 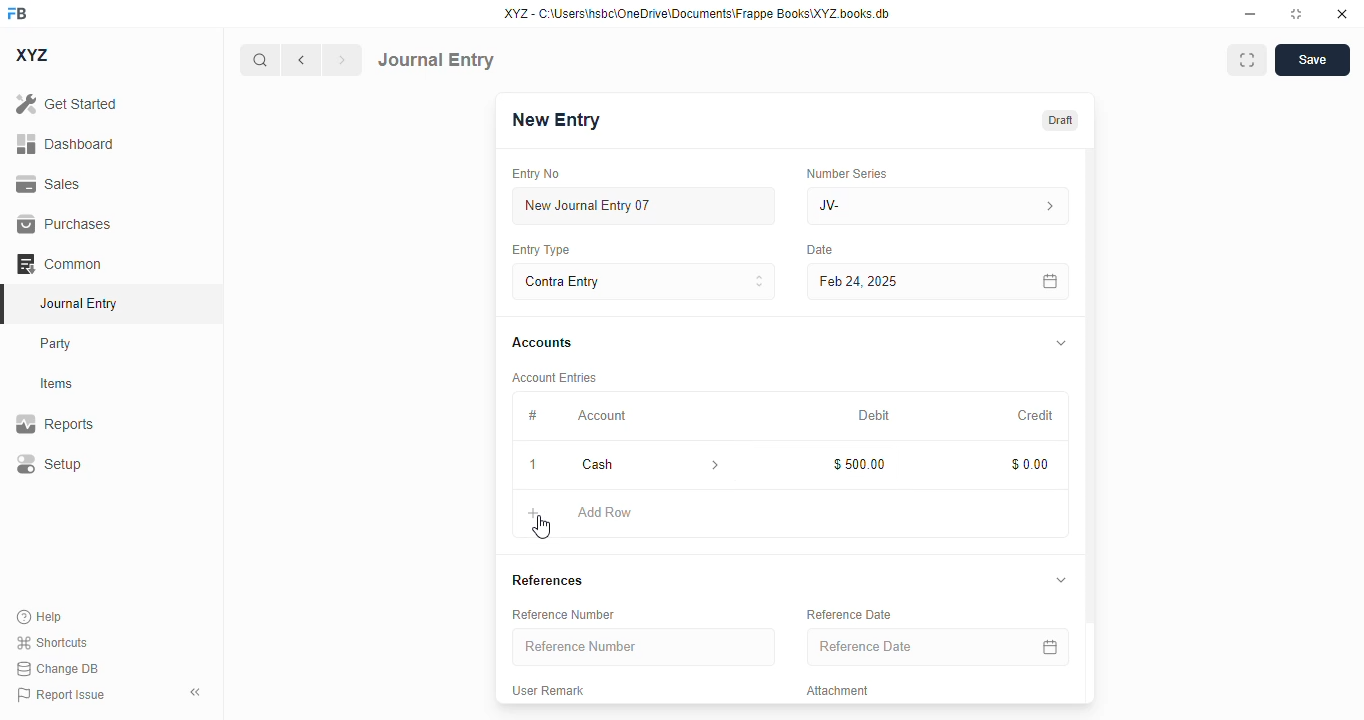 What do you see at coordinates (697, 14) in the screenshot?
I see `XYZ - C:\Users\hsbc\OneDrive\Documents\Frappe Books\XYZ books. db` at bounding box center [697, 14].